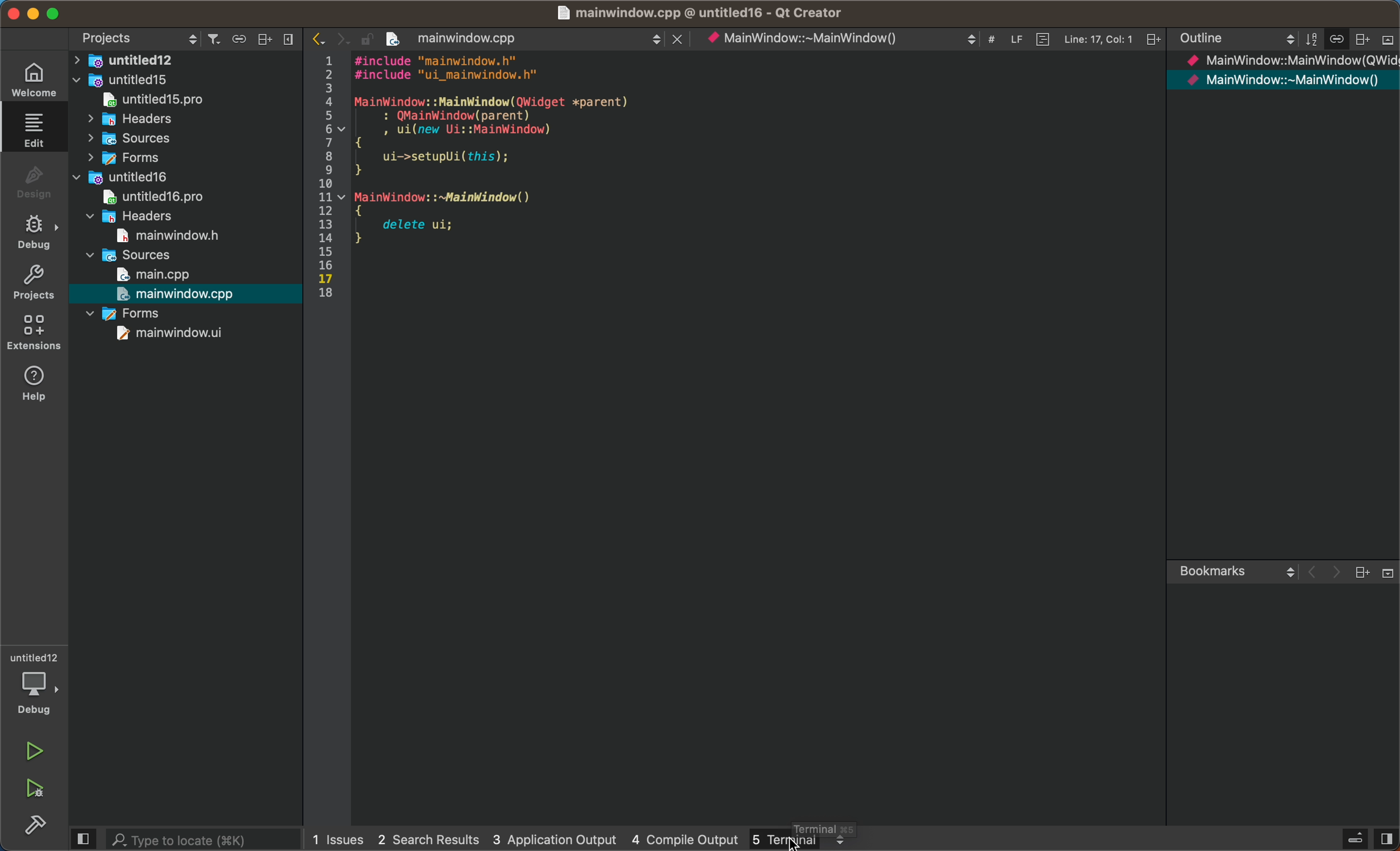  Describe the element at coordinates (185, 80) in the screenshot. I see `file and folder` at that location.